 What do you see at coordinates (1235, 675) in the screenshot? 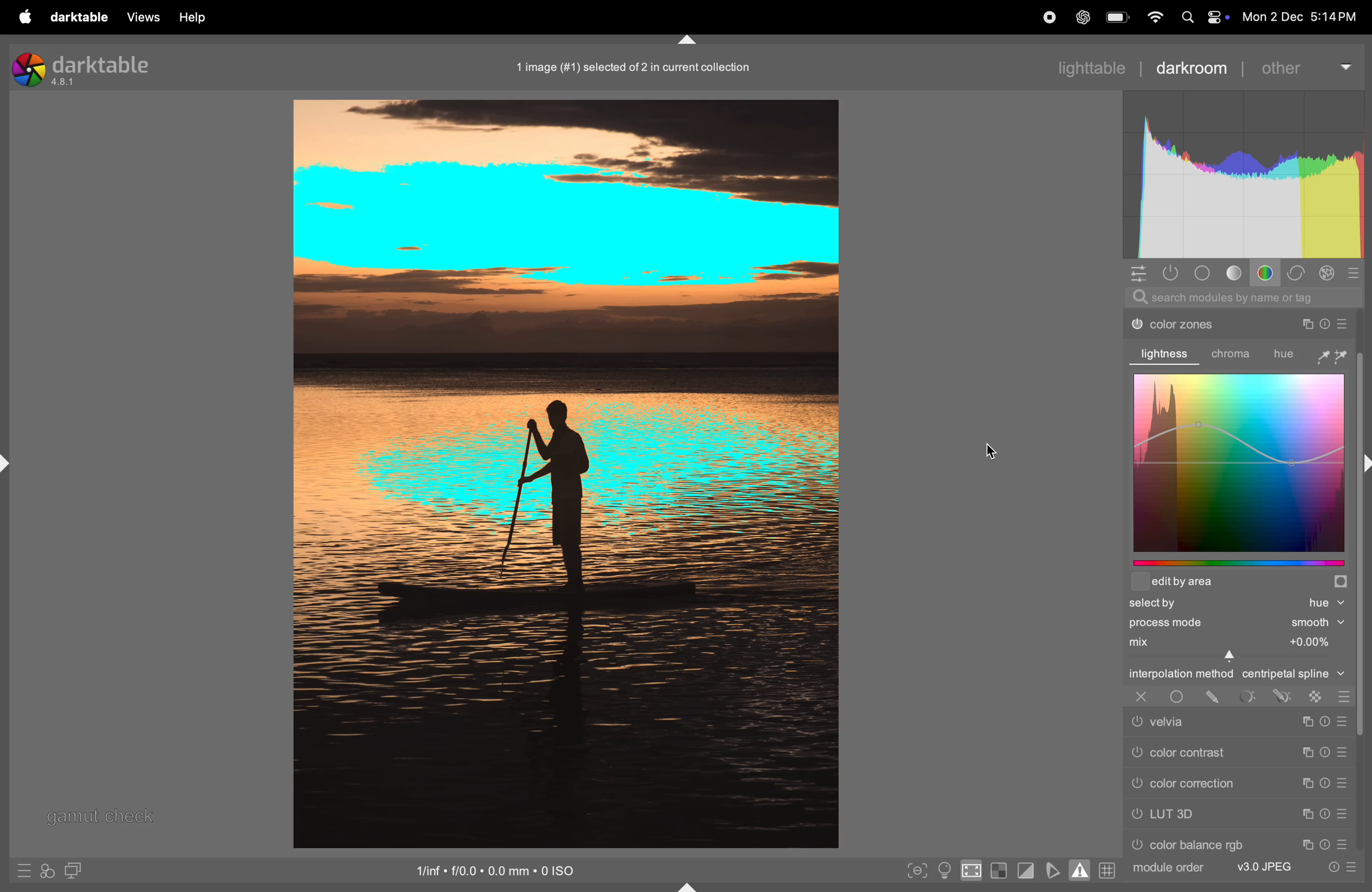
I see `interpolation central spline` at bounding box center [1235, 675].